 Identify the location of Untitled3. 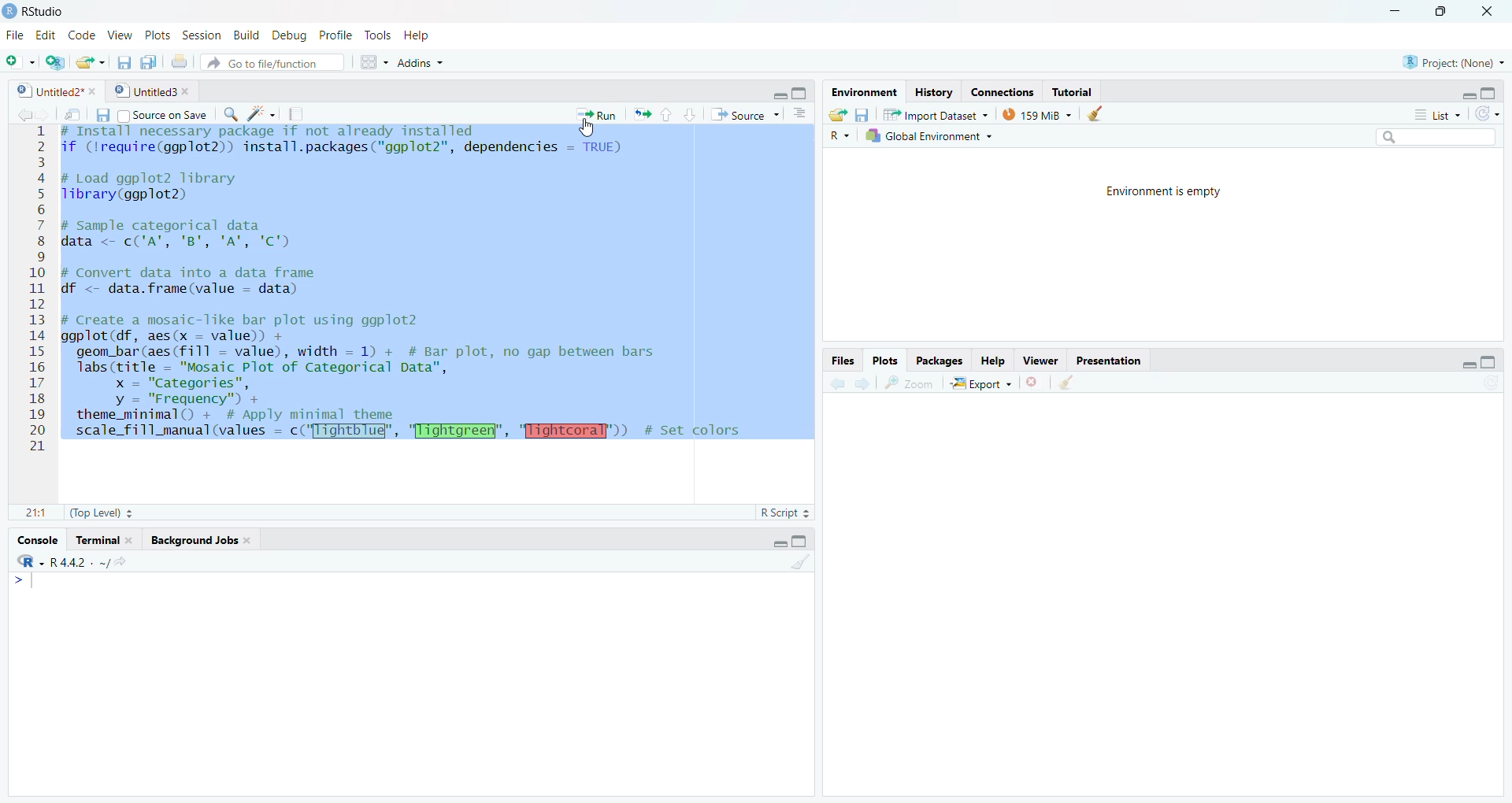
(154, 91).